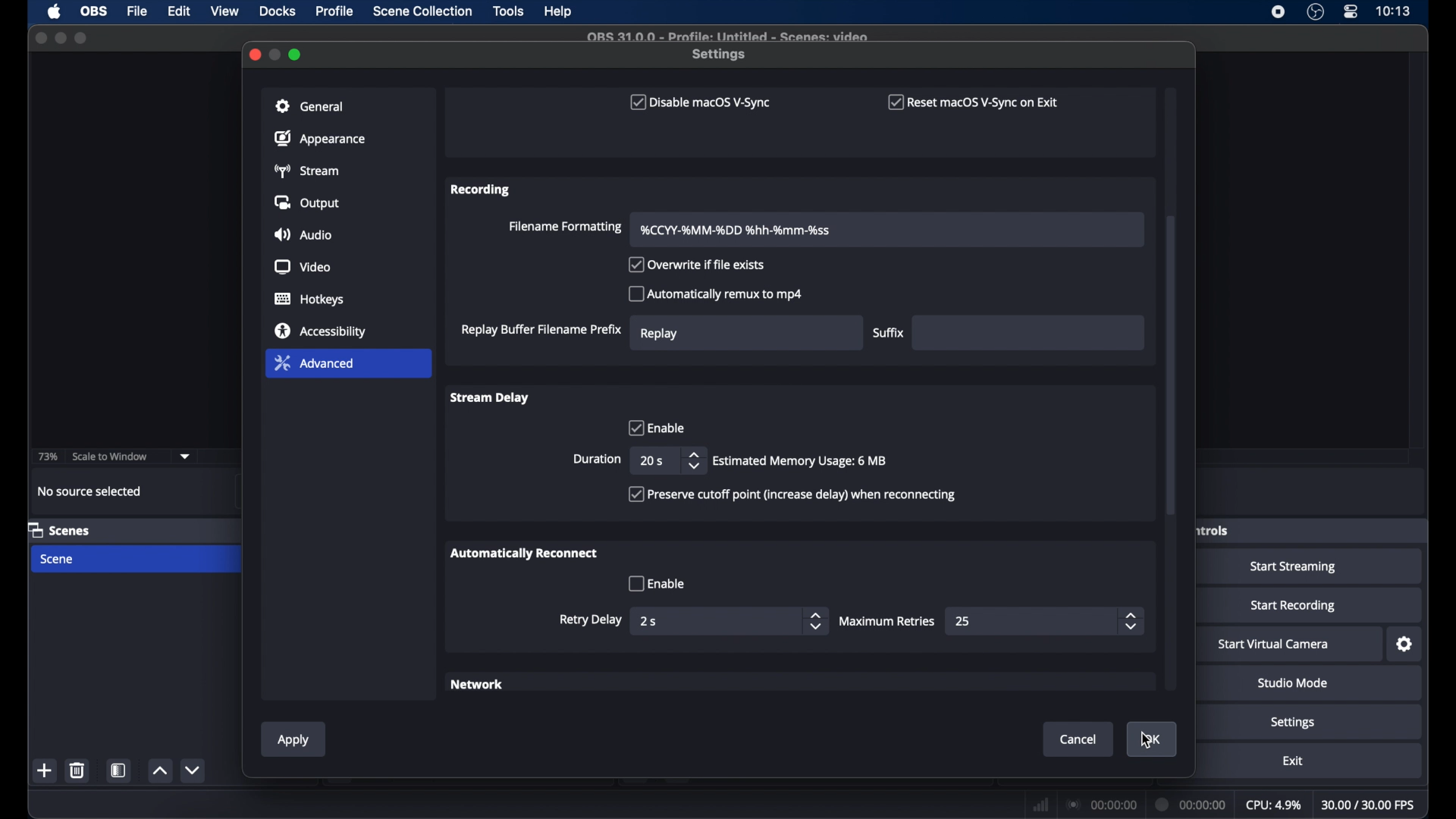  Describe the element at coordinates (302, 236) in the screenshot. I see `audio` at that location.